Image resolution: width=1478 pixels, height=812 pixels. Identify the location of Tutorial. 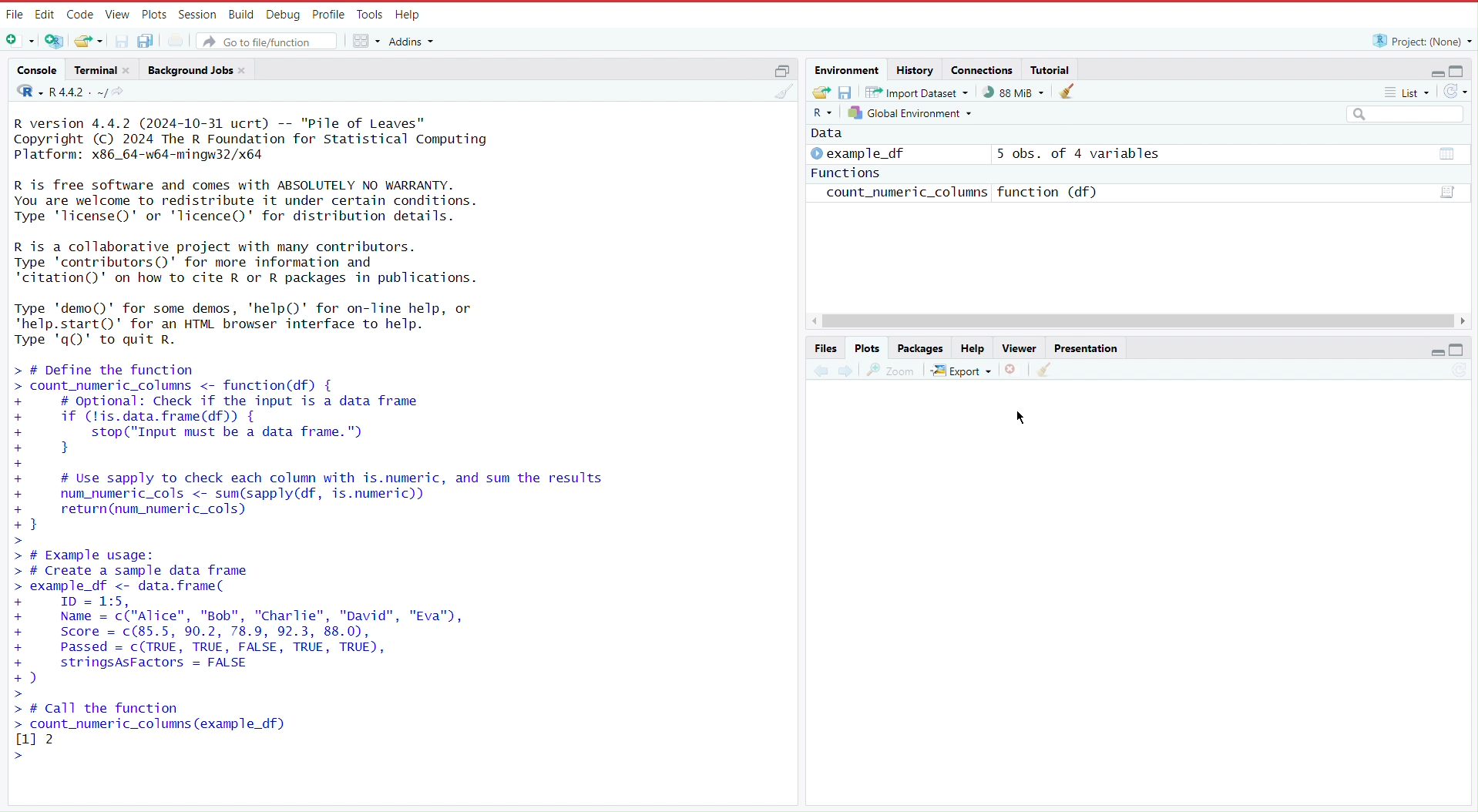
(1053, 69).